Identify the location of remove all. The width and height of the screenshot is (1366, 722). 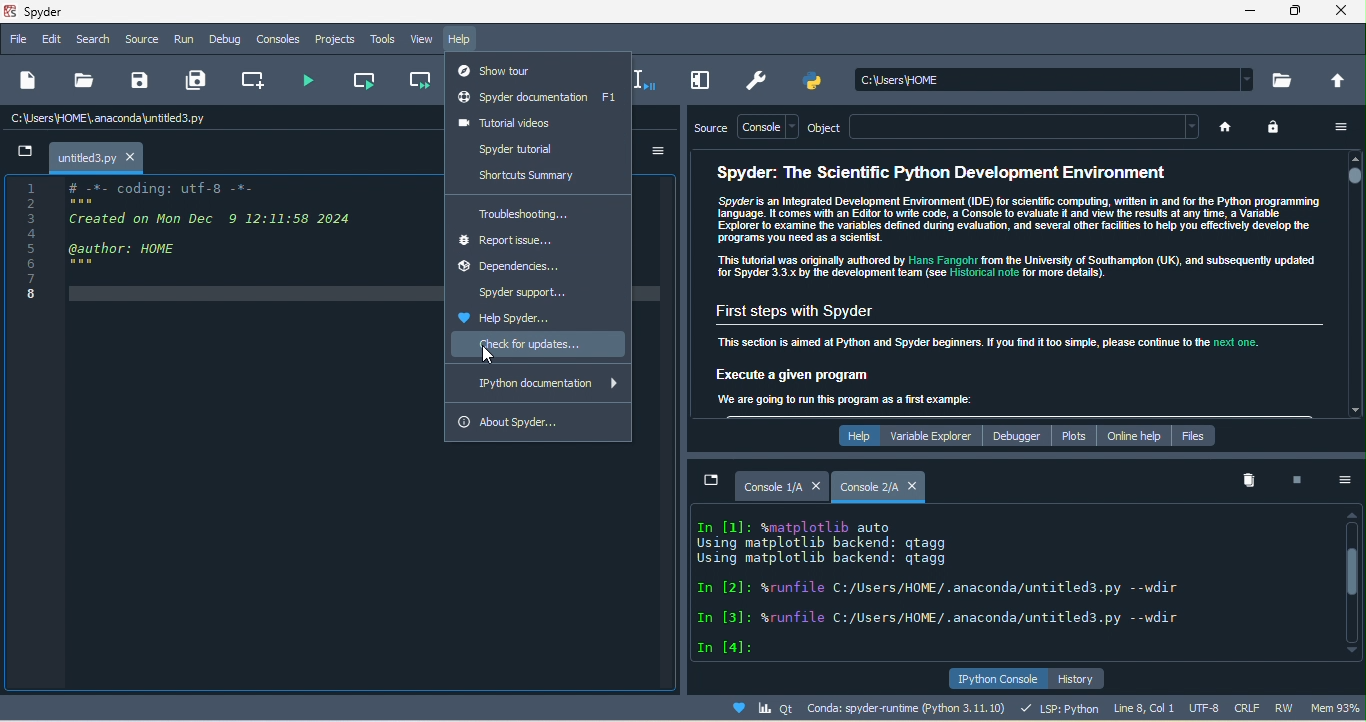
(1247, 481).